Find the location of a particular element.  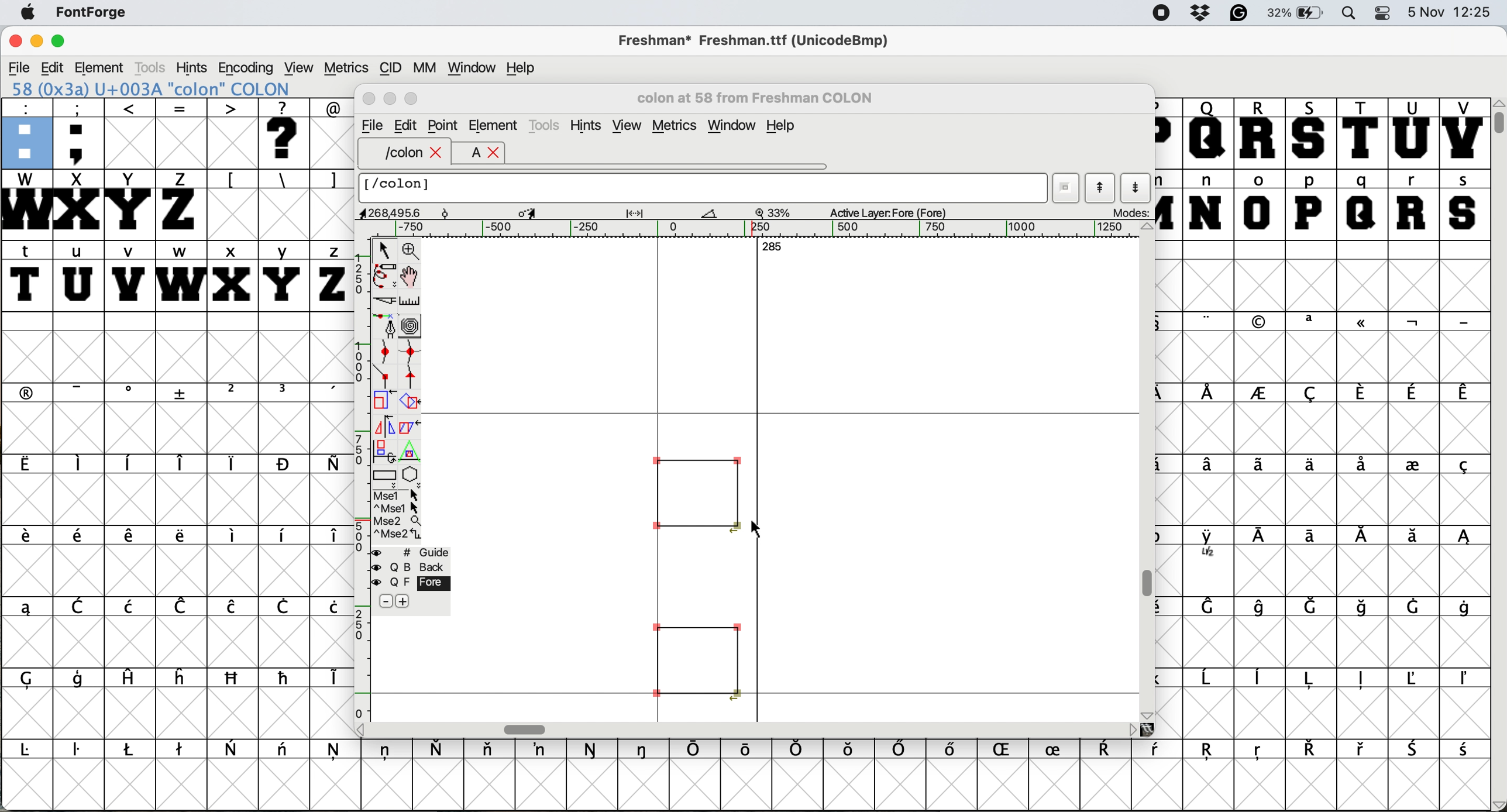

battery is located at coordinates (1298, 13).